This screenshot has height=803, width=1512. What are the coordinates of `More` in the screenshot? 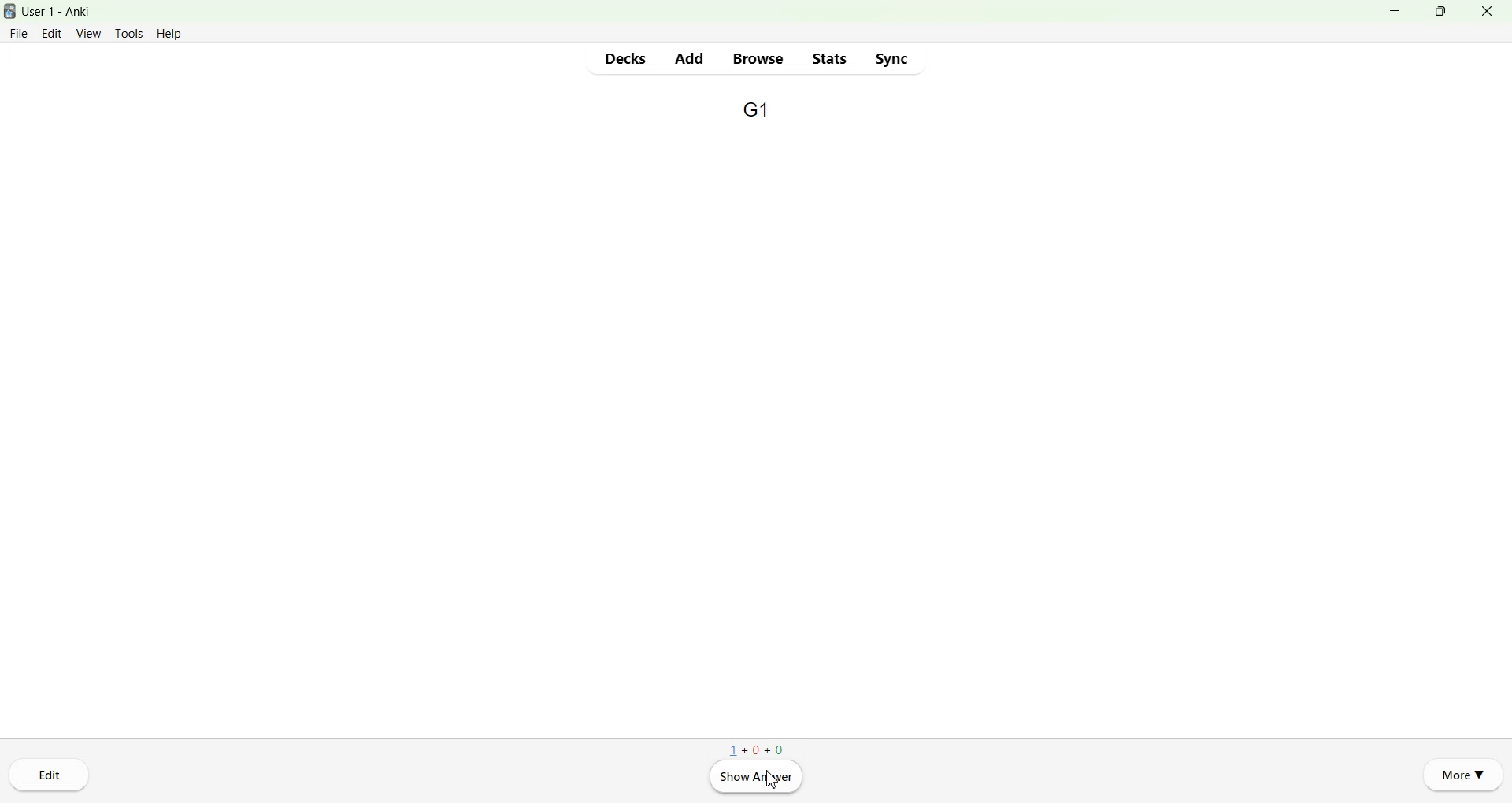 It's located at (1463, 773).